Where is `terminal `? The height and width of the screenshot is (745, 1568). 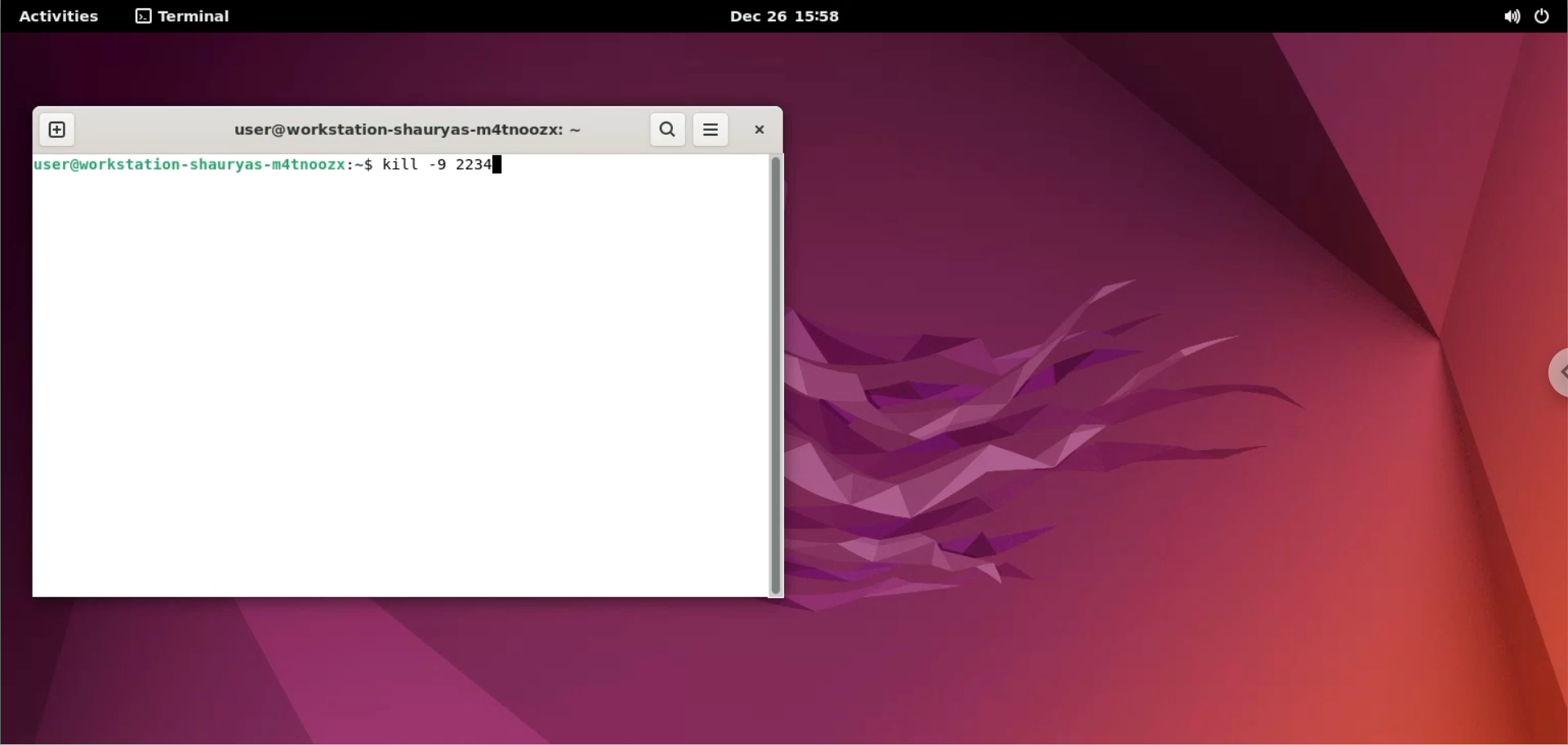
terminal  is located at coordinates (185, 19).